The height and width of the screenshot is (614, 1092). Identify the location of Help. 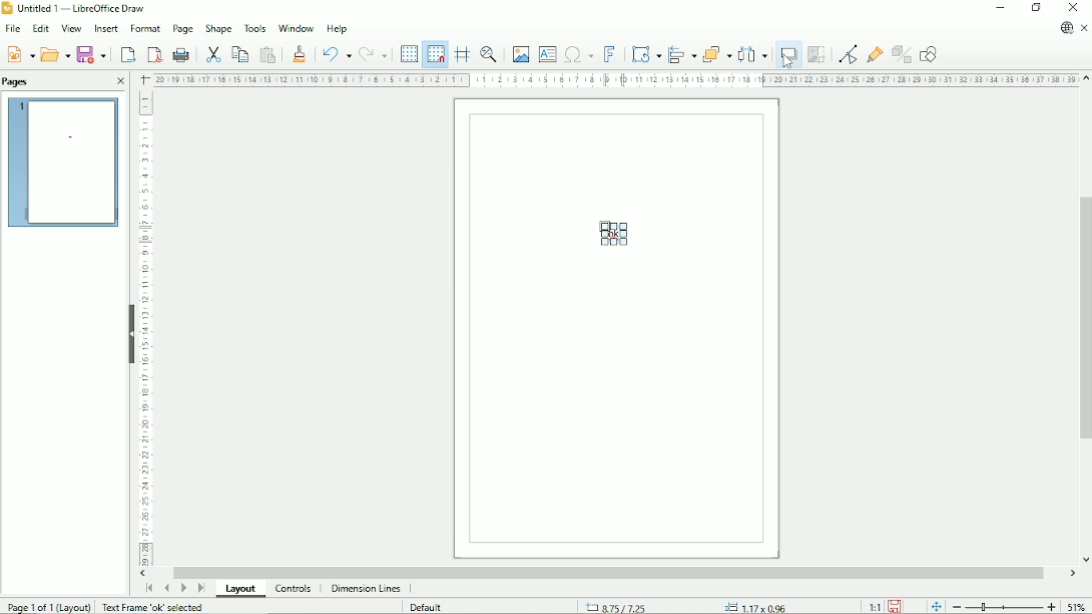
(336, 28).